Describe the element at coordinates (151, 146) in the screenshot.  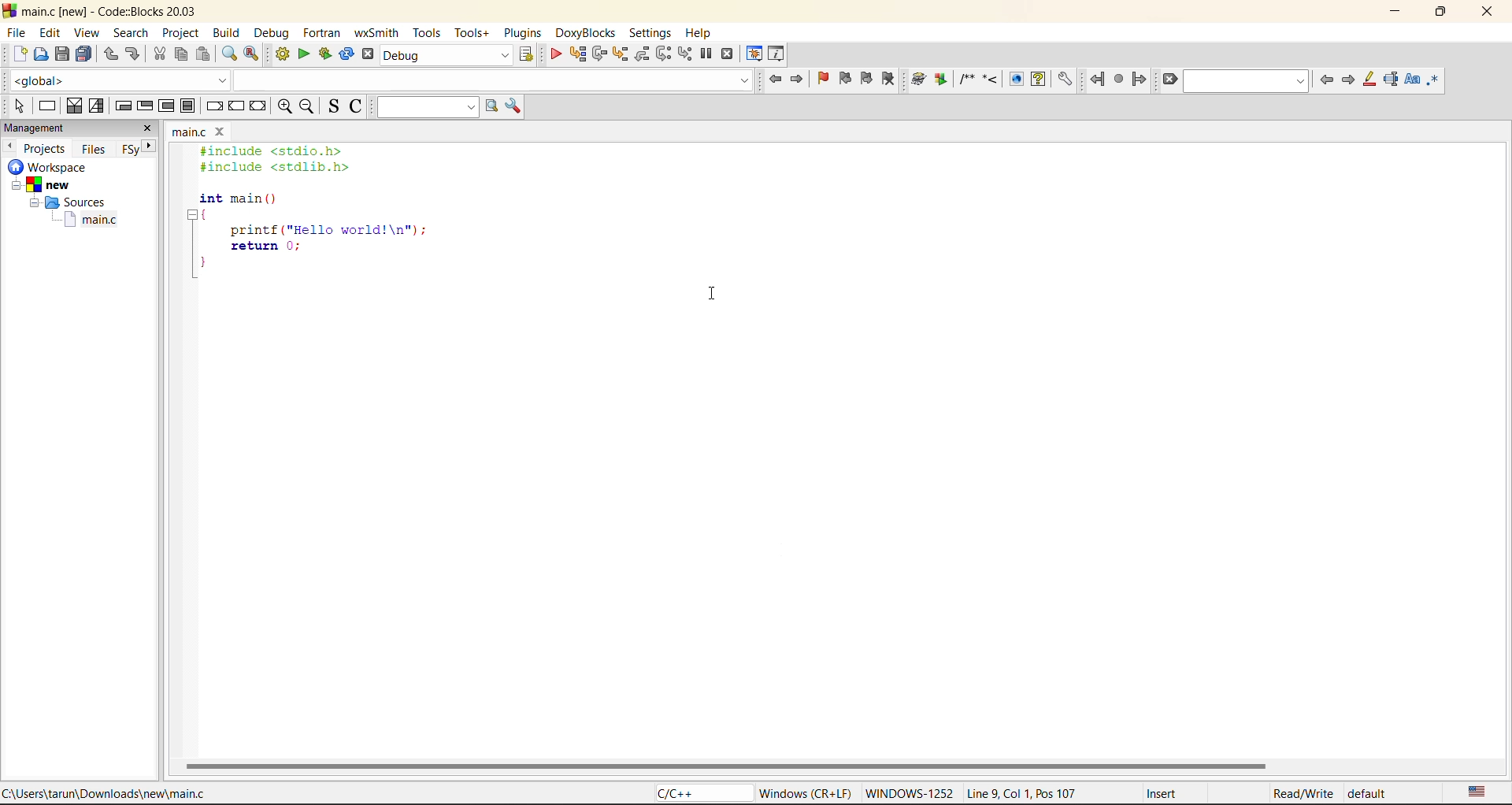
I see `next` at that location.